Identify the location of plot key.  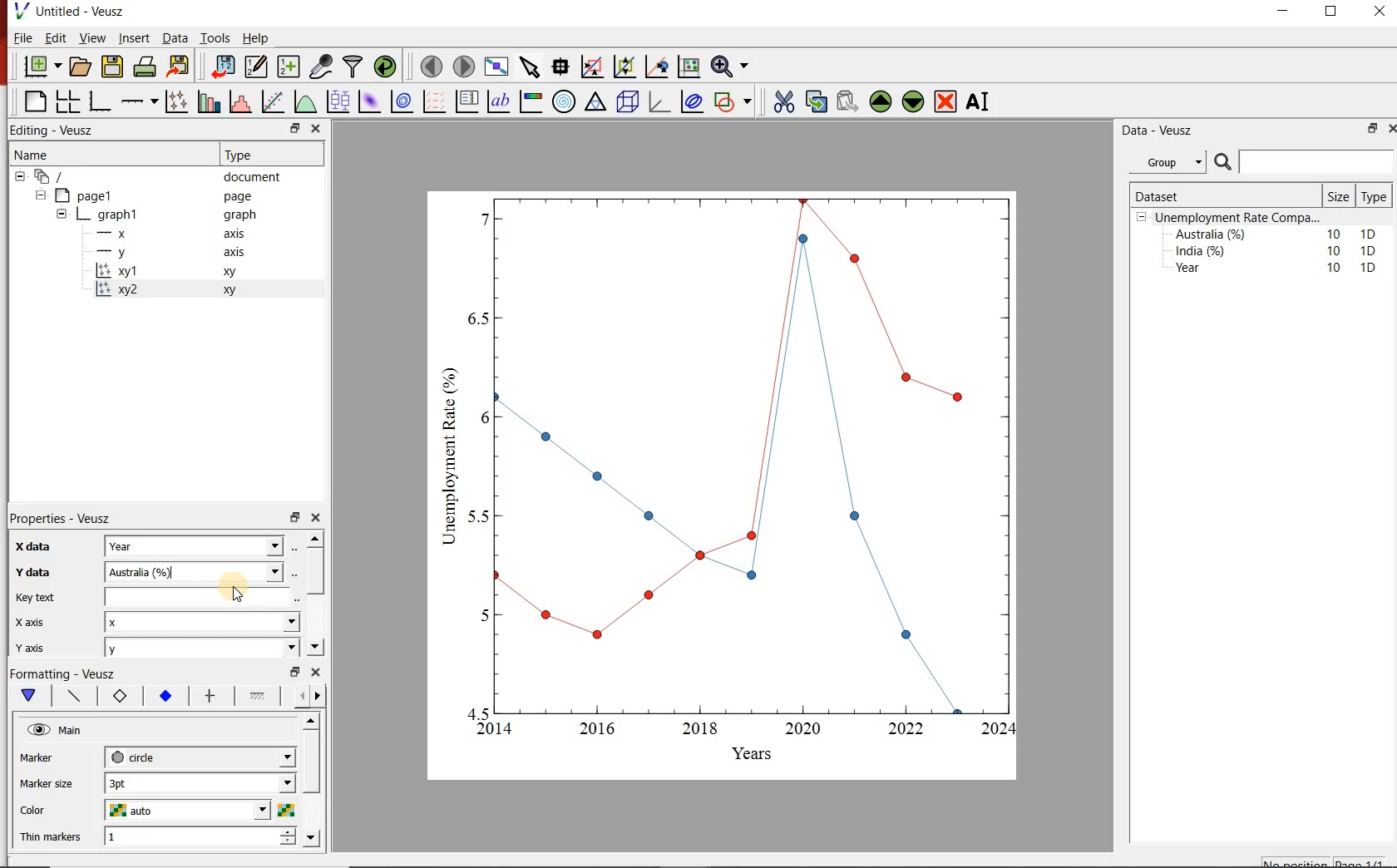
(466, 102).